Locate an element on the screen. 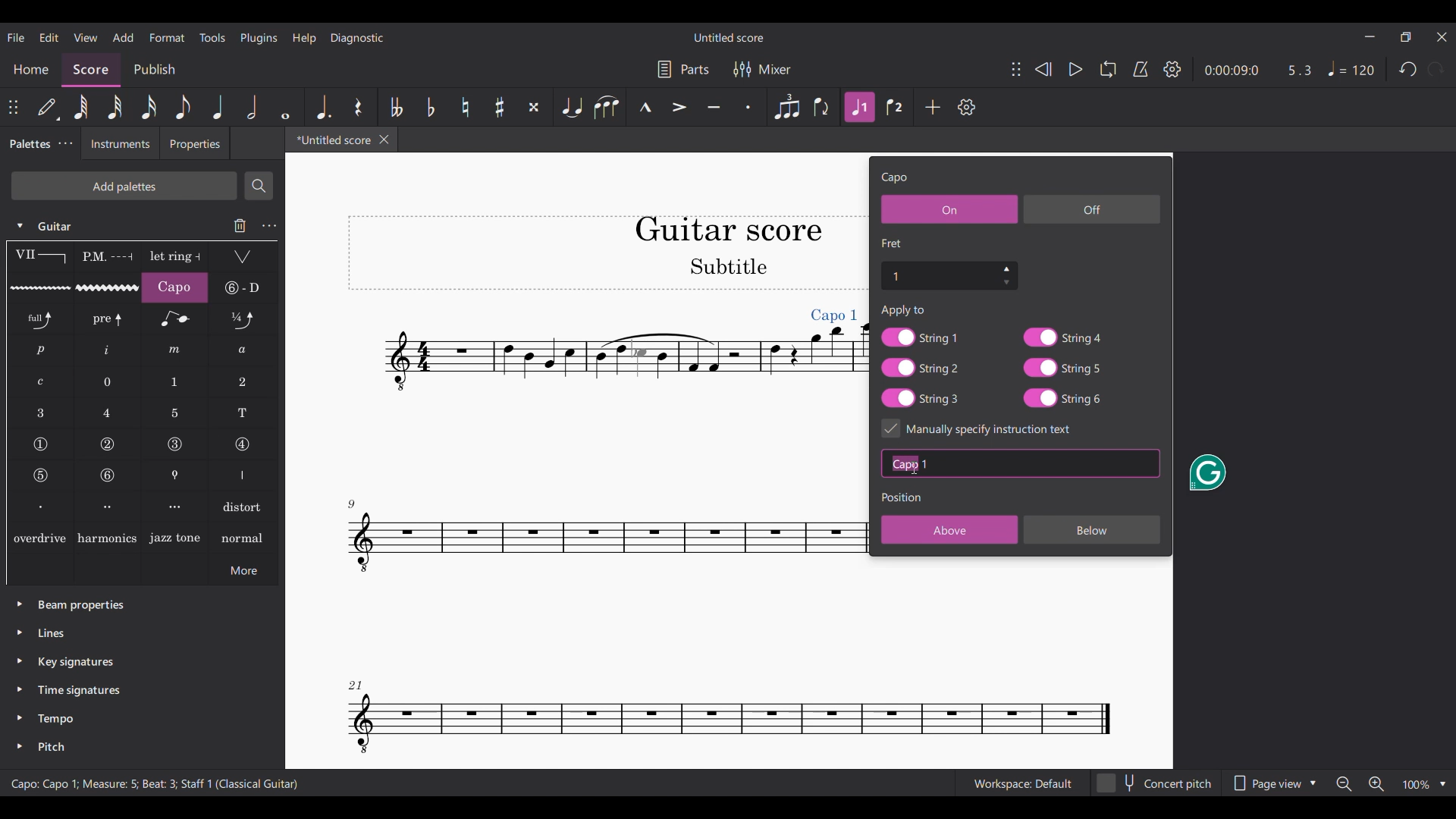 The width and height of the screenshot is (1456, 819). Current duration is located at coordinates (1232, 69).